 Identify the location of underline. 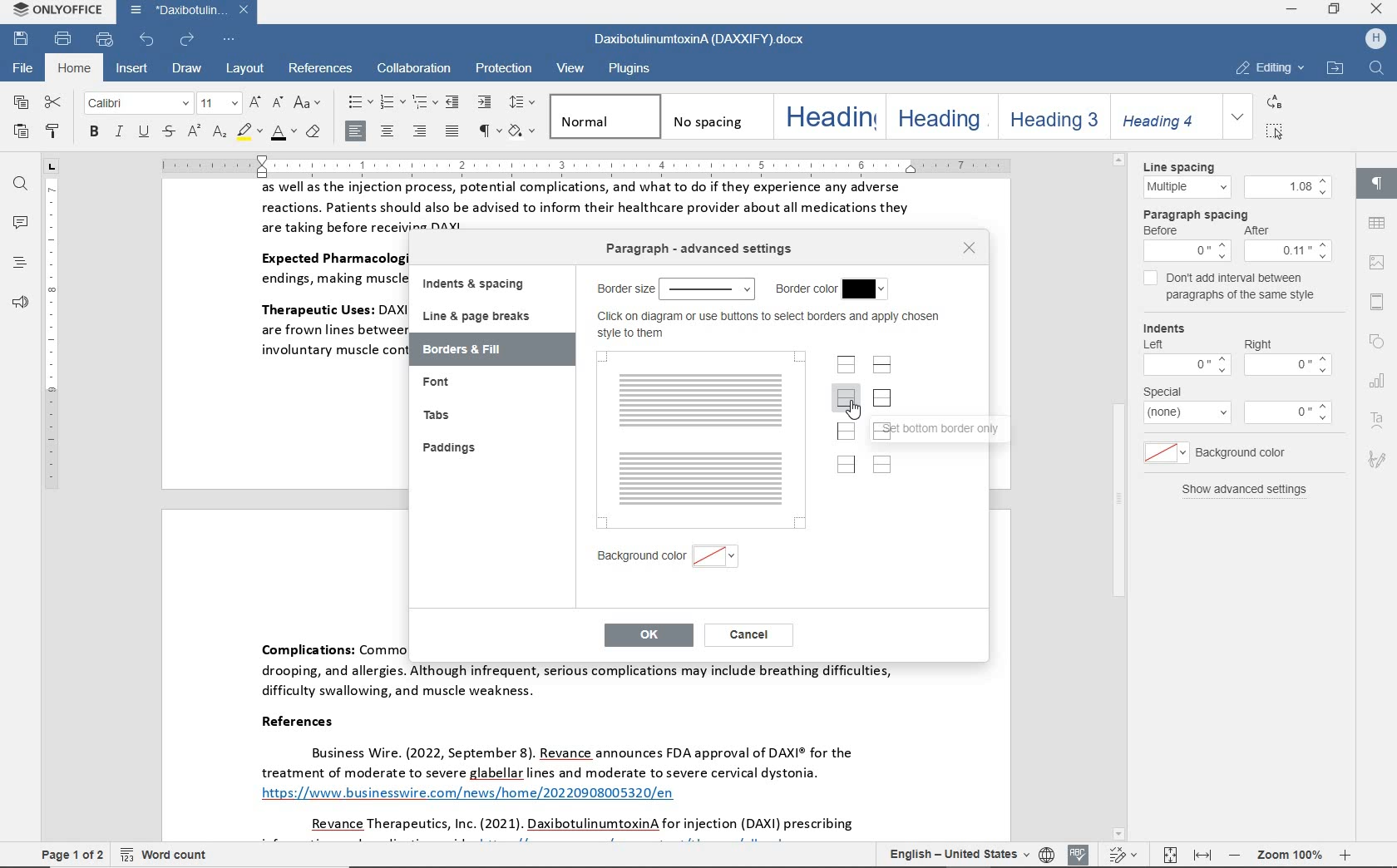
(143, 133).